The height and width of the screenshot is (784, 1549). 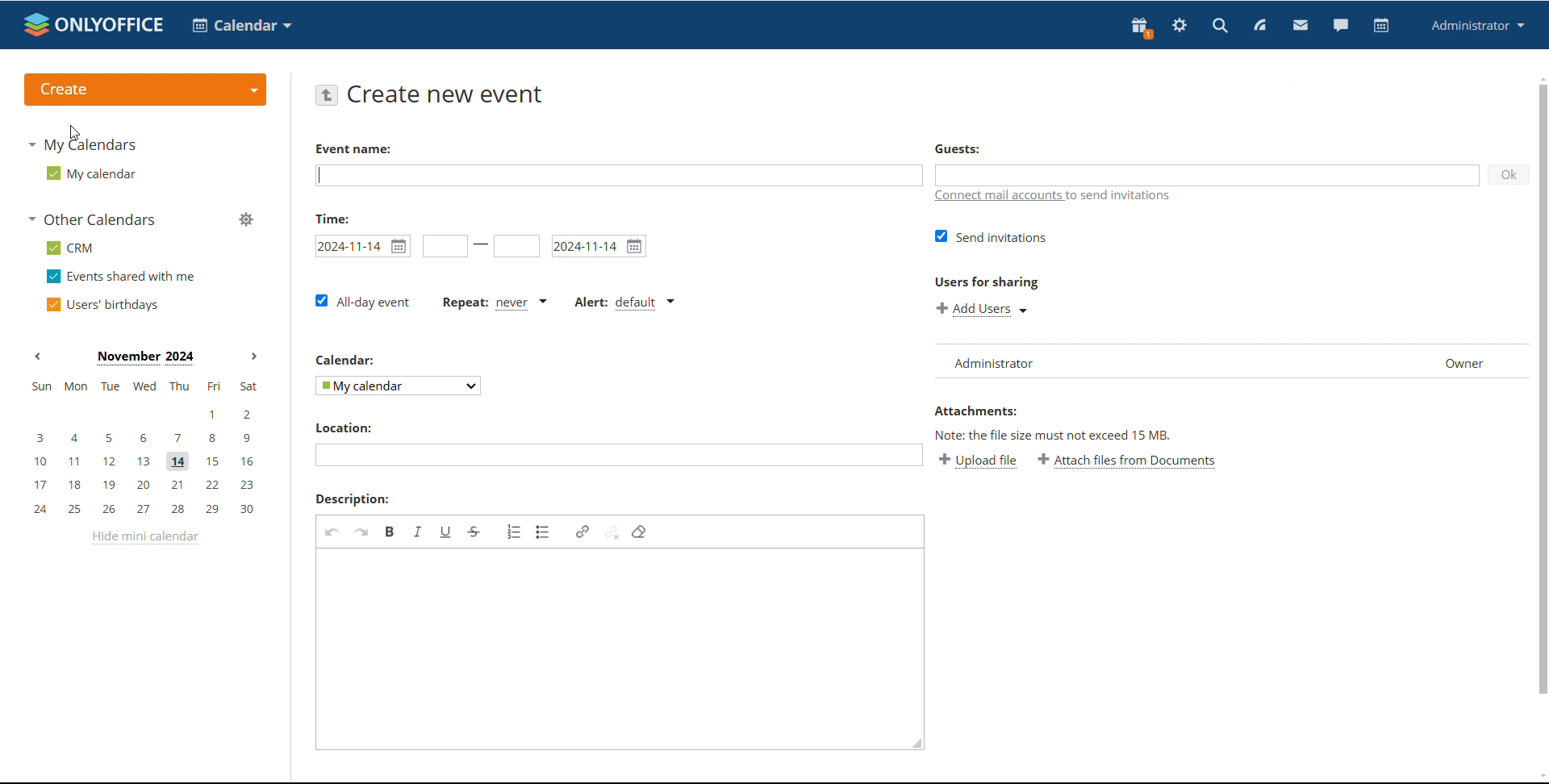 What do you see at coordinates (1508, 174) in the screenshot?
I see `ok` at bounding box center [1508, 174].